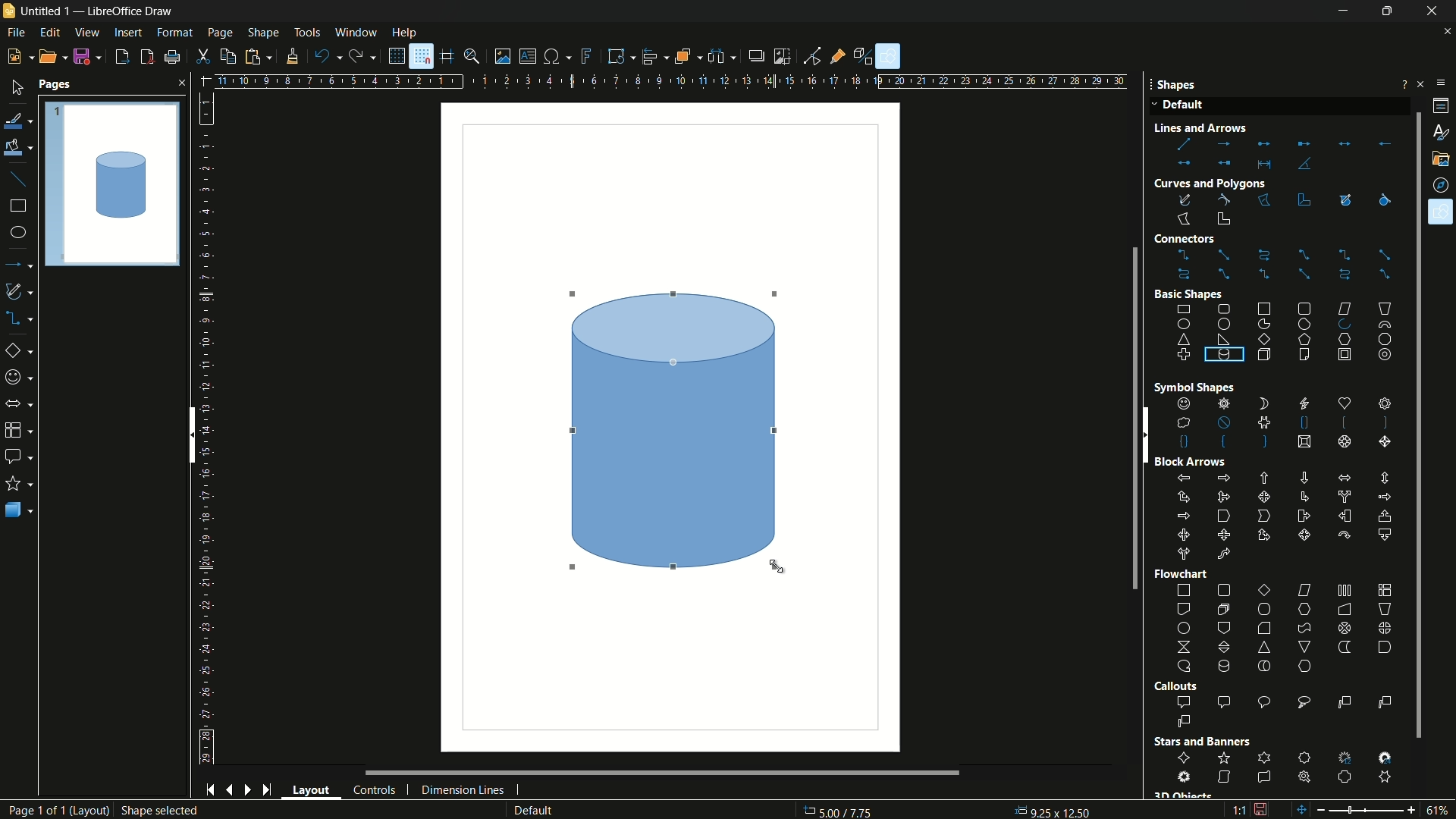  What do you see at coordinates (655, 55) in the screenshot?
I see `align objects` at bounding box center [655, 55].